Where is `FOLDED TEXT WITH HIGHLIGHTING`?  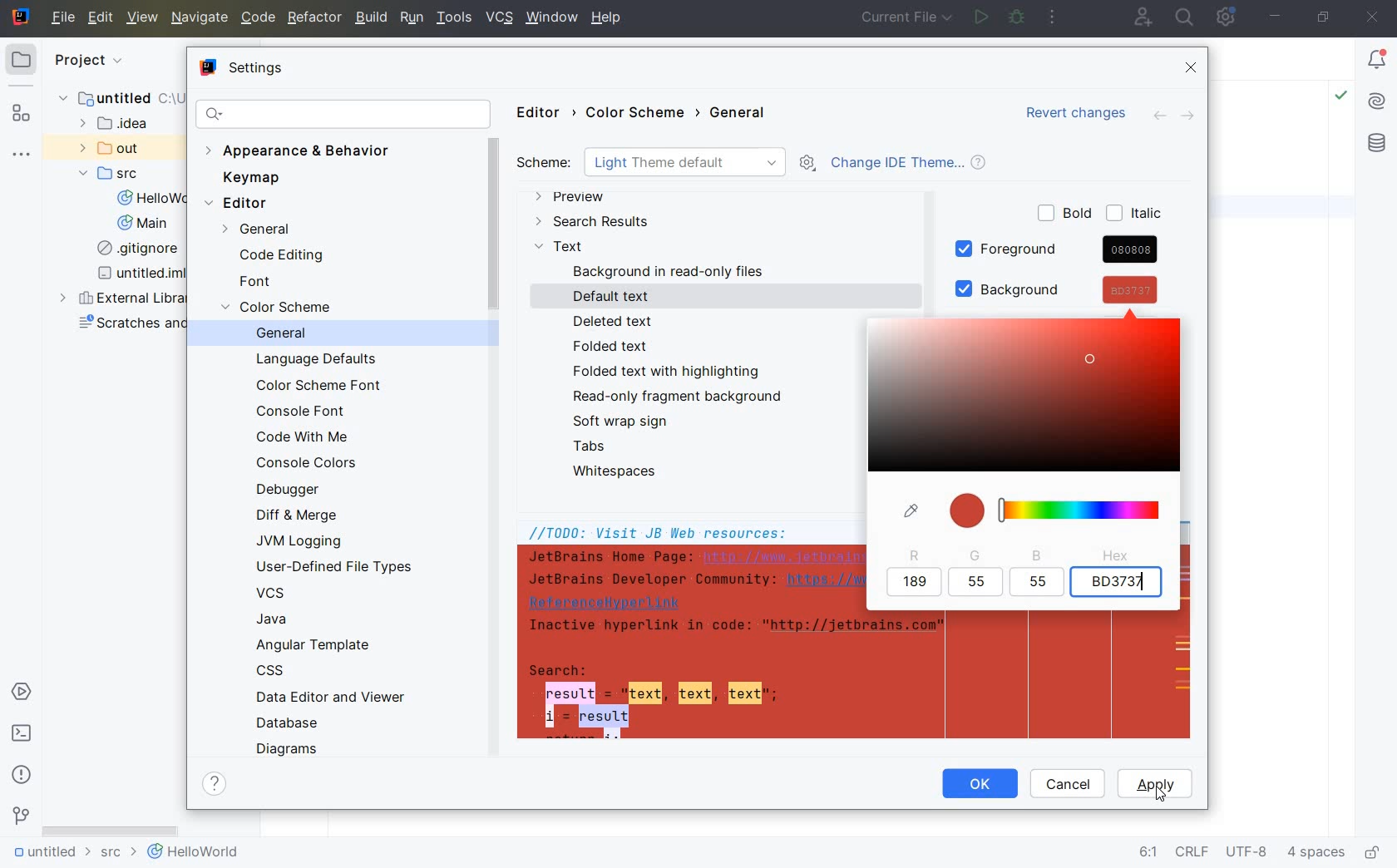
FOLDED TEXT WITH HIGHLIGHTING is located at coordinates (668, 372).